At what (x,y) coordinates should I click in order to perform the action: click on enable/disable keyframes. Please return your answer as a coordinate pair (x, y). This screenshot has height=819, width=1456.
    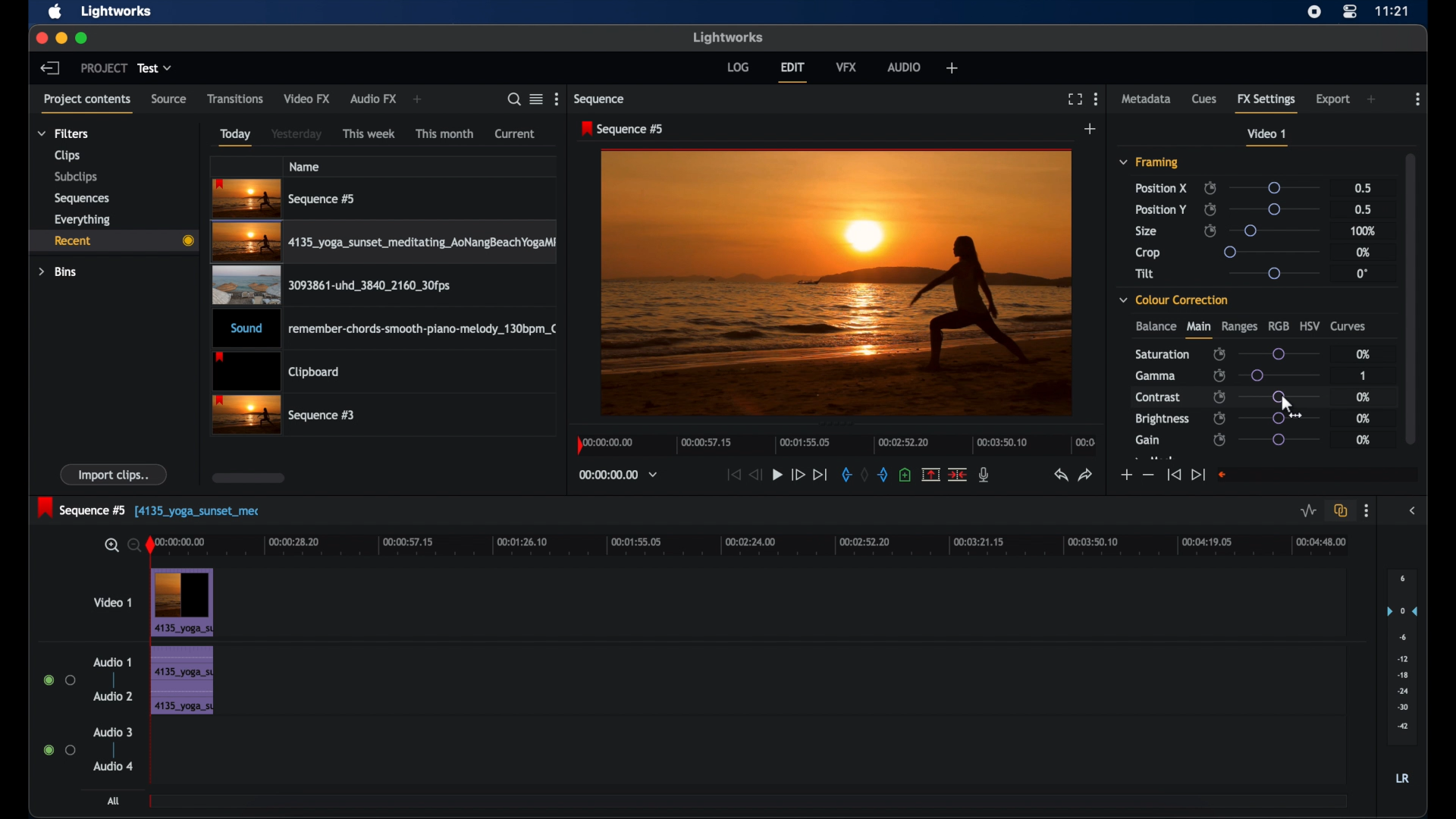
    Looking at the image, I should click on (1219, 418).